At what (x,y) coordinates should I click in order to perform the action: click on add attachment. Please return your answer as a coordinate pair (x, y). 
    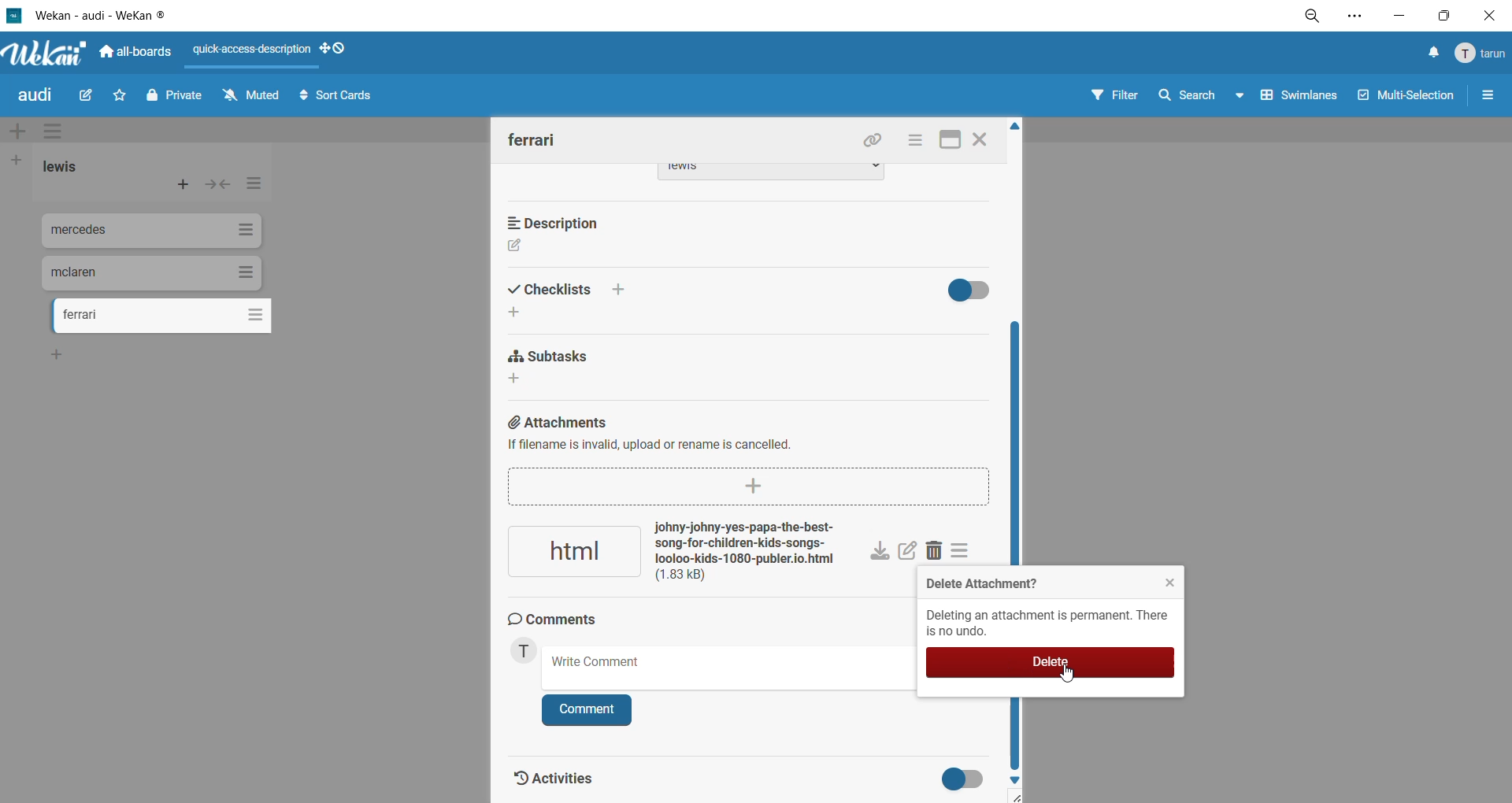
    Looking at the image, I should click on (747, 487).